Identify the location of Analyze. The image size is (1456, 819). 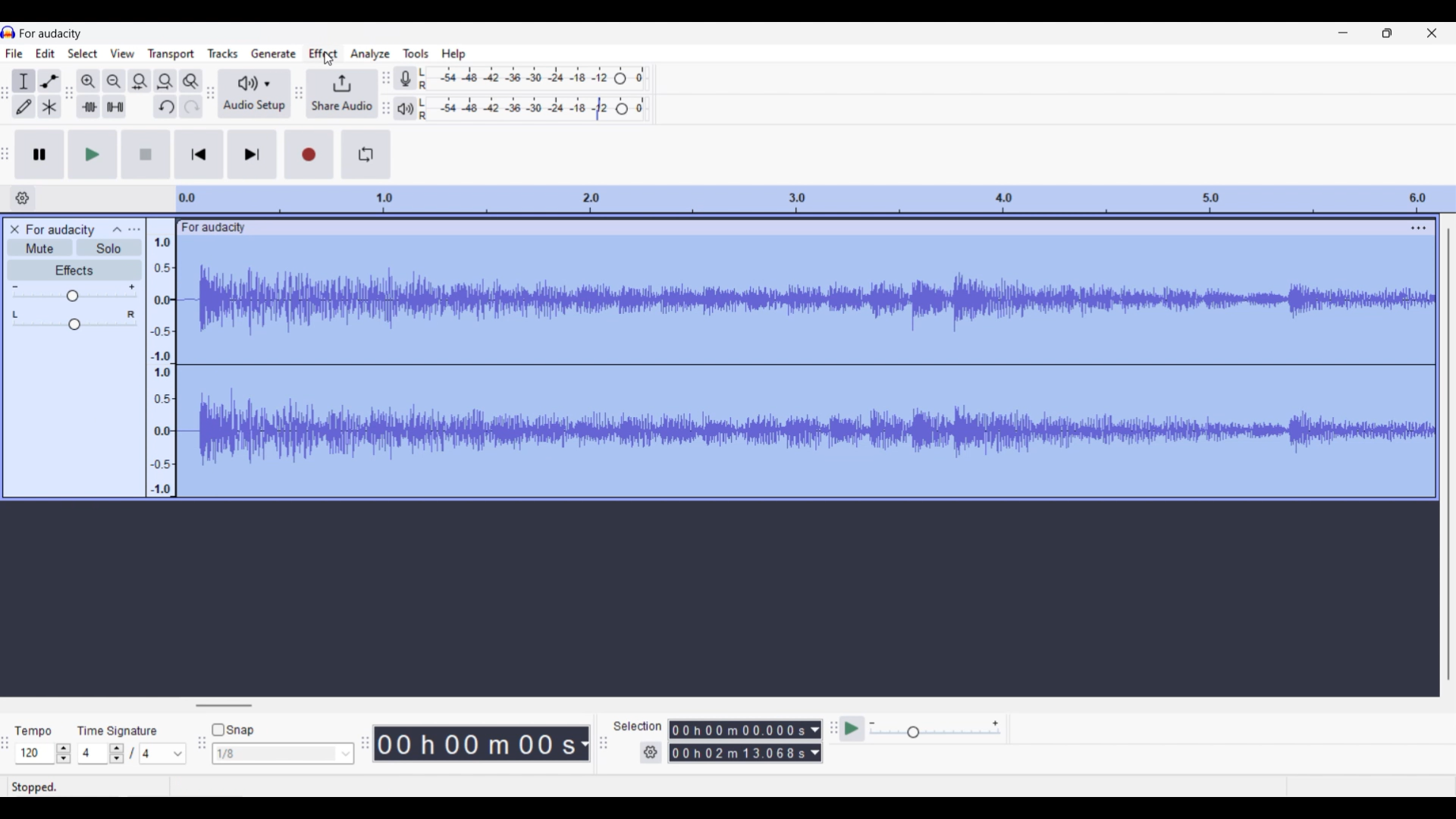
(369, 54).